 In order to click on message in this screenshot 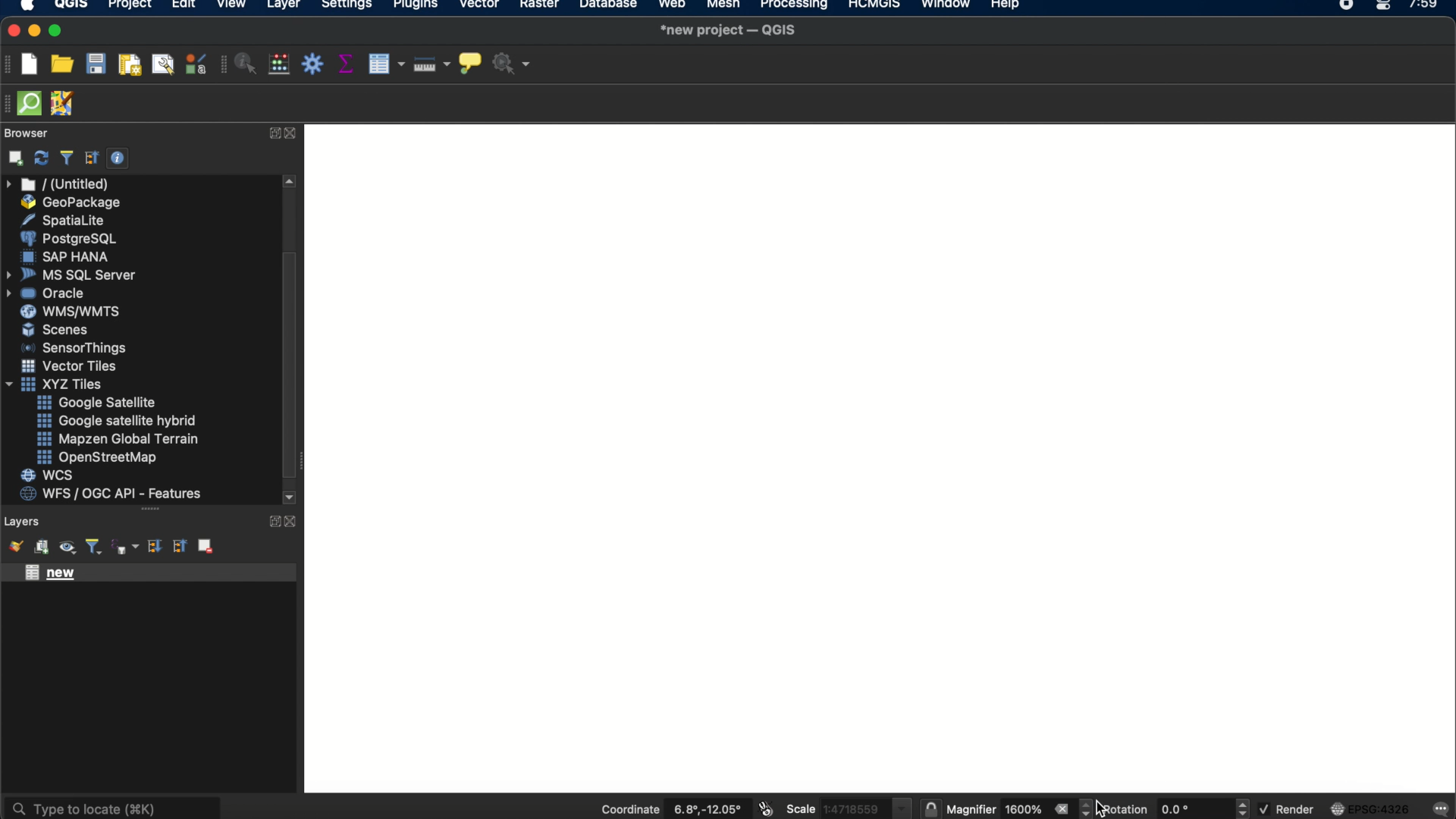, I will do `click(1442, 807)`.